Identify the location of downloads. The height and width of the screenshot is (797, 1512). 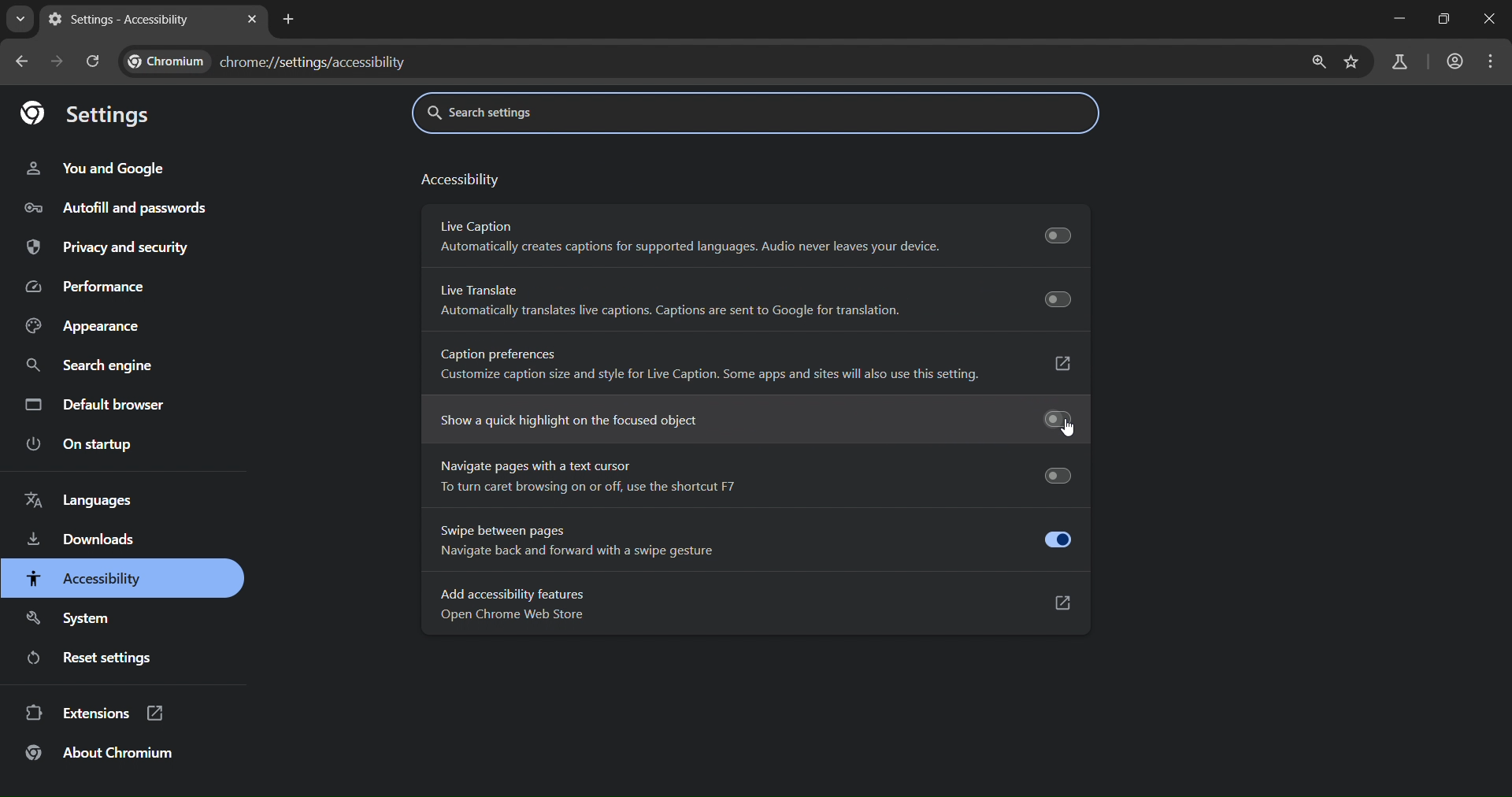
(83, 540).